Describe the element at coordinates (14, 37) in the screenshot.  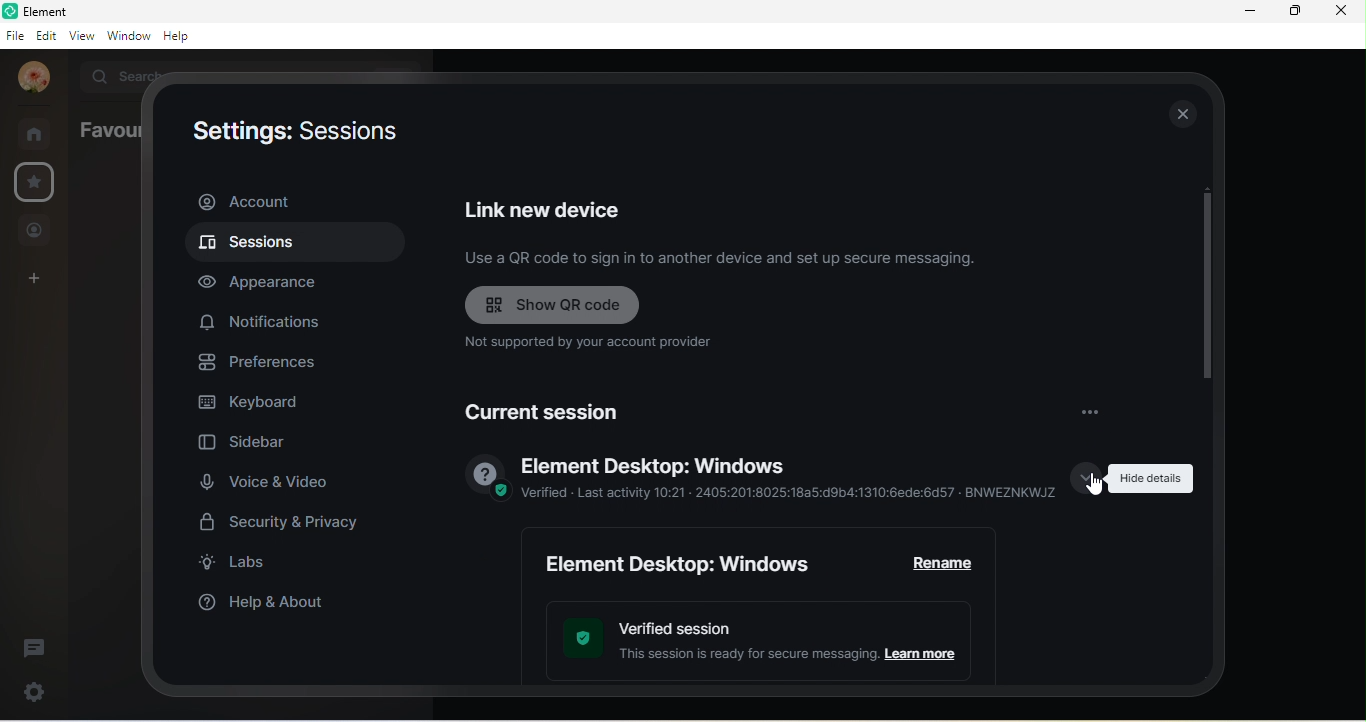
I see `file` at that location.